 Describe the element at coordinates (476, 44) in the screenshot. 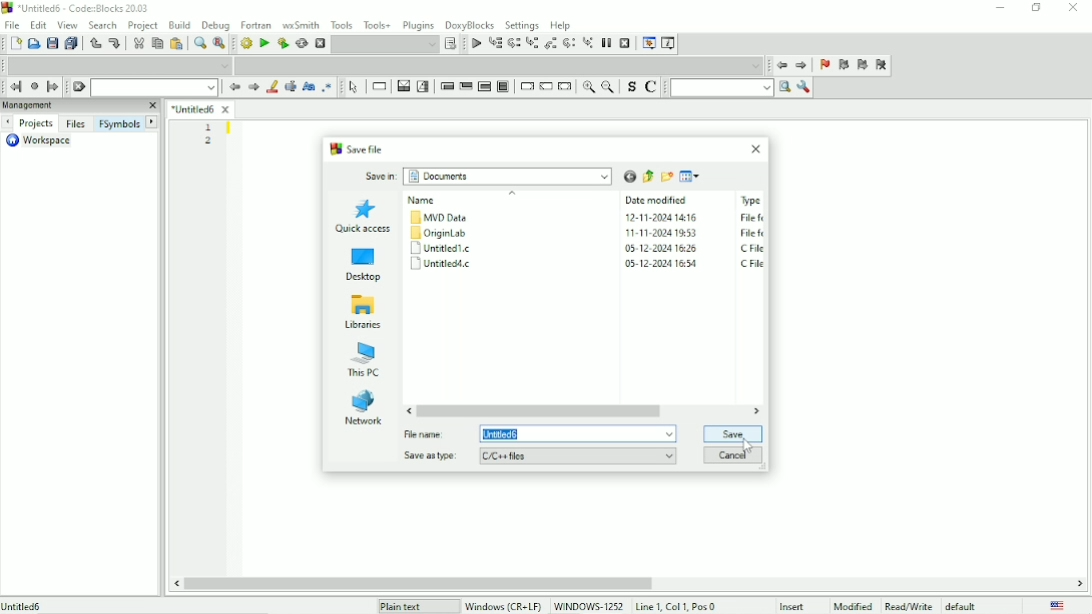

I see `Debug/Continue` at that location.